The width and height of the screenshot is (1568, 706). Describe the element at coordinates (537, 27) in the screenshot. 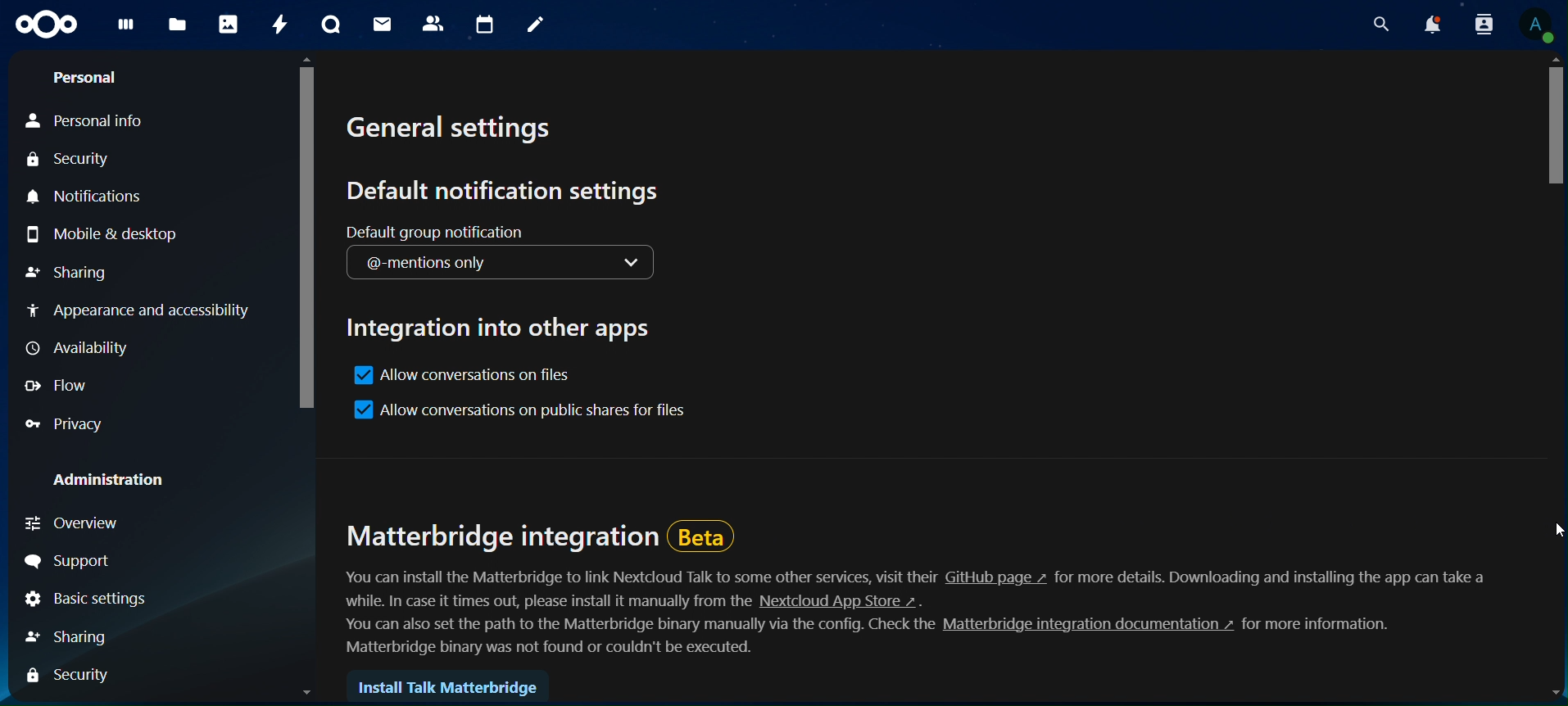

I see `notes` at that location.